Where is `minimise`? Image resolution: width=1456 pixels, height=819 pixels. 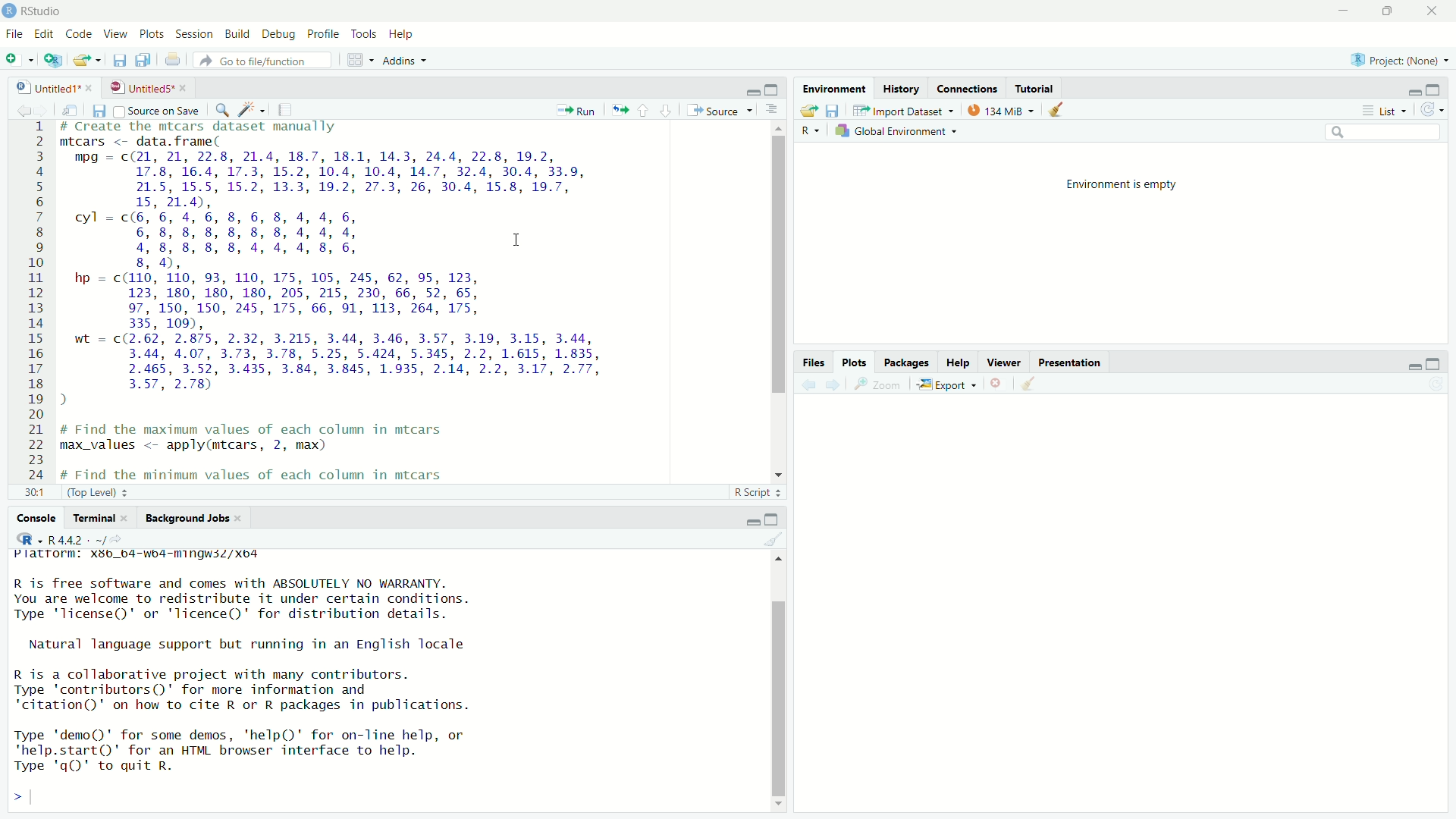
minimise is located at coordinates (1414, 88).